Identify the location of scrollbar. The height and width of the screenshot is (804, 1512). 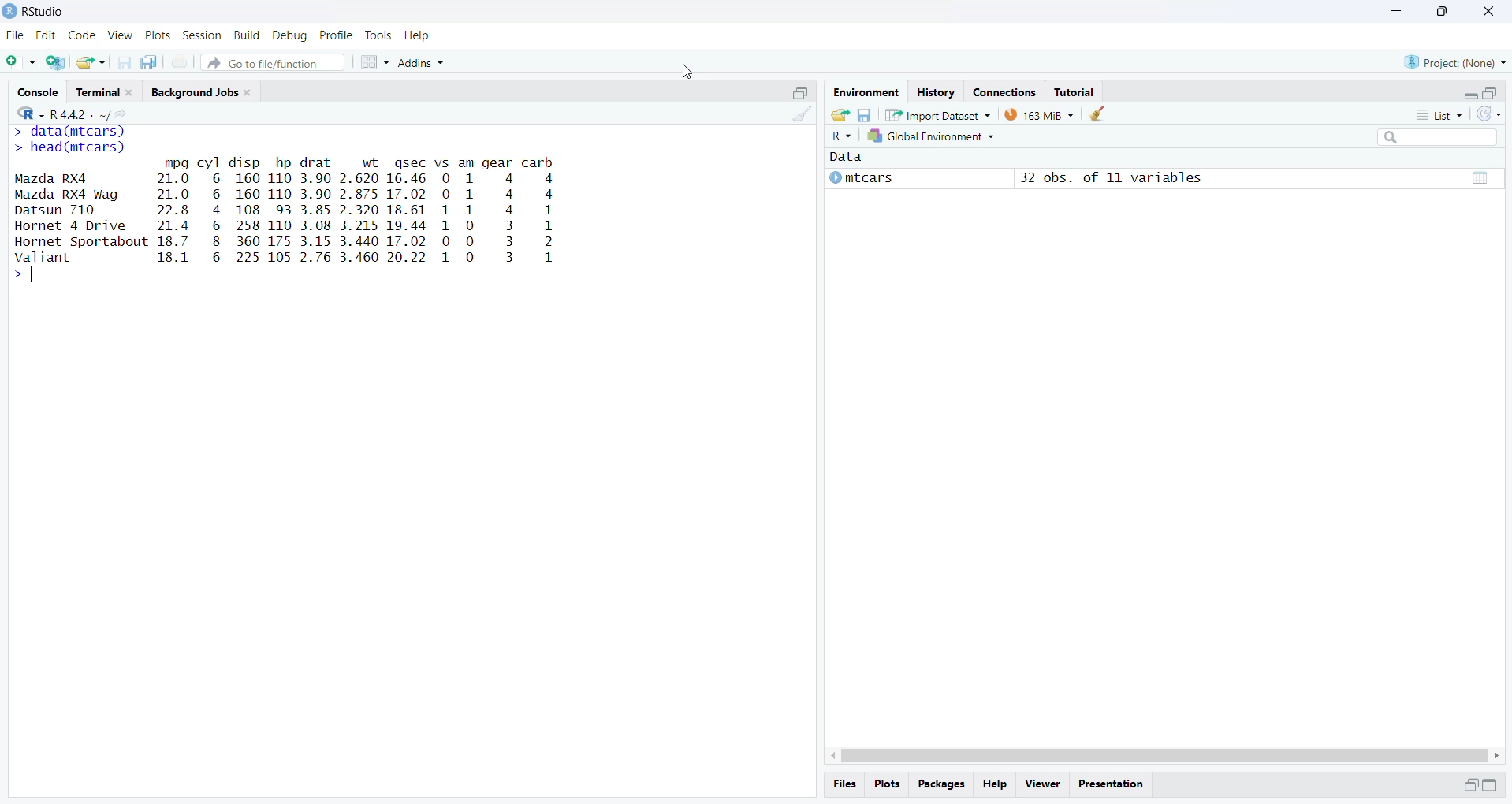
(1165, 754).